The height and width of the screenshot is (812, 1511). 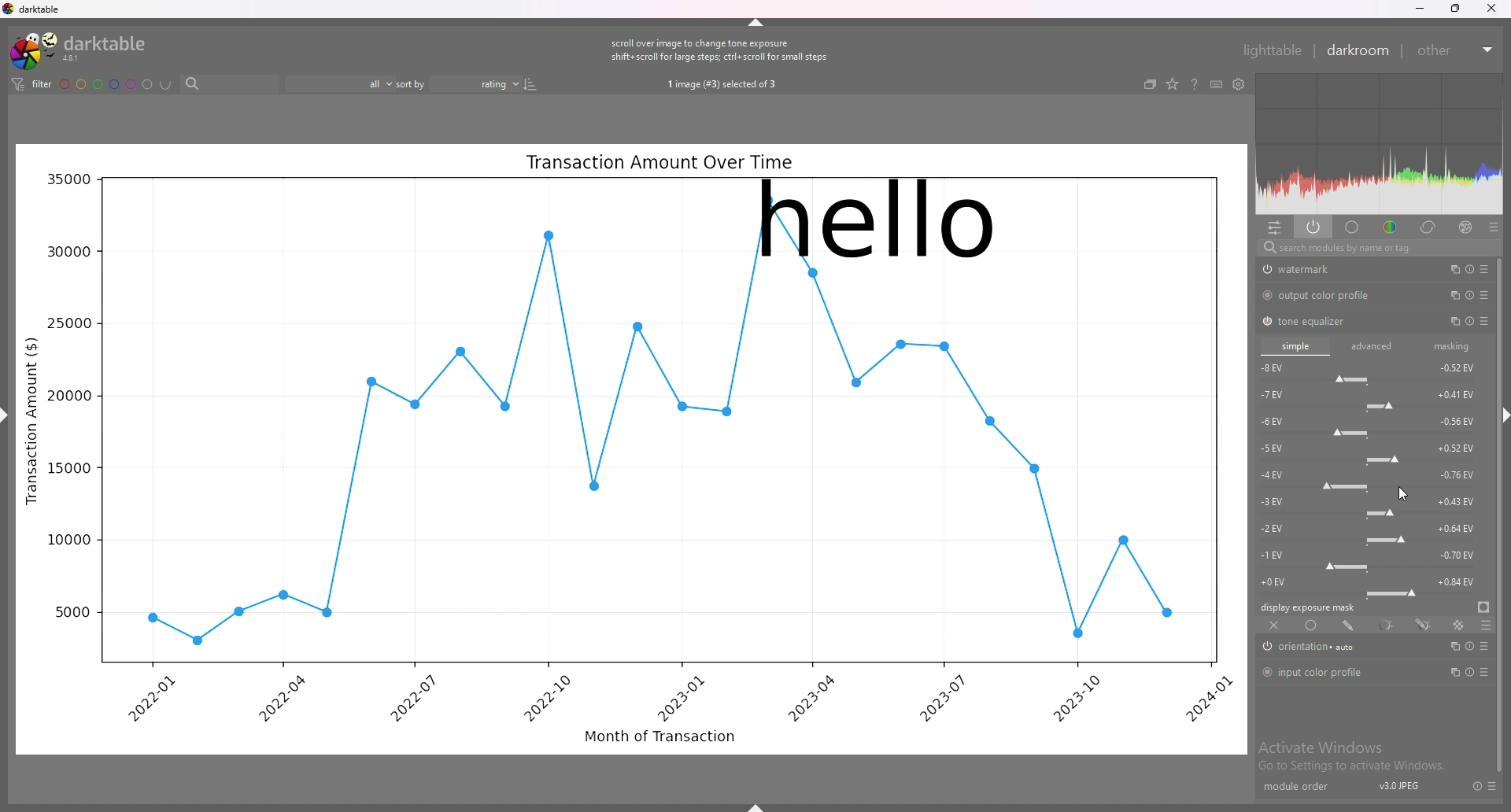 I want to click on color labels, so click(x=105, y=85).